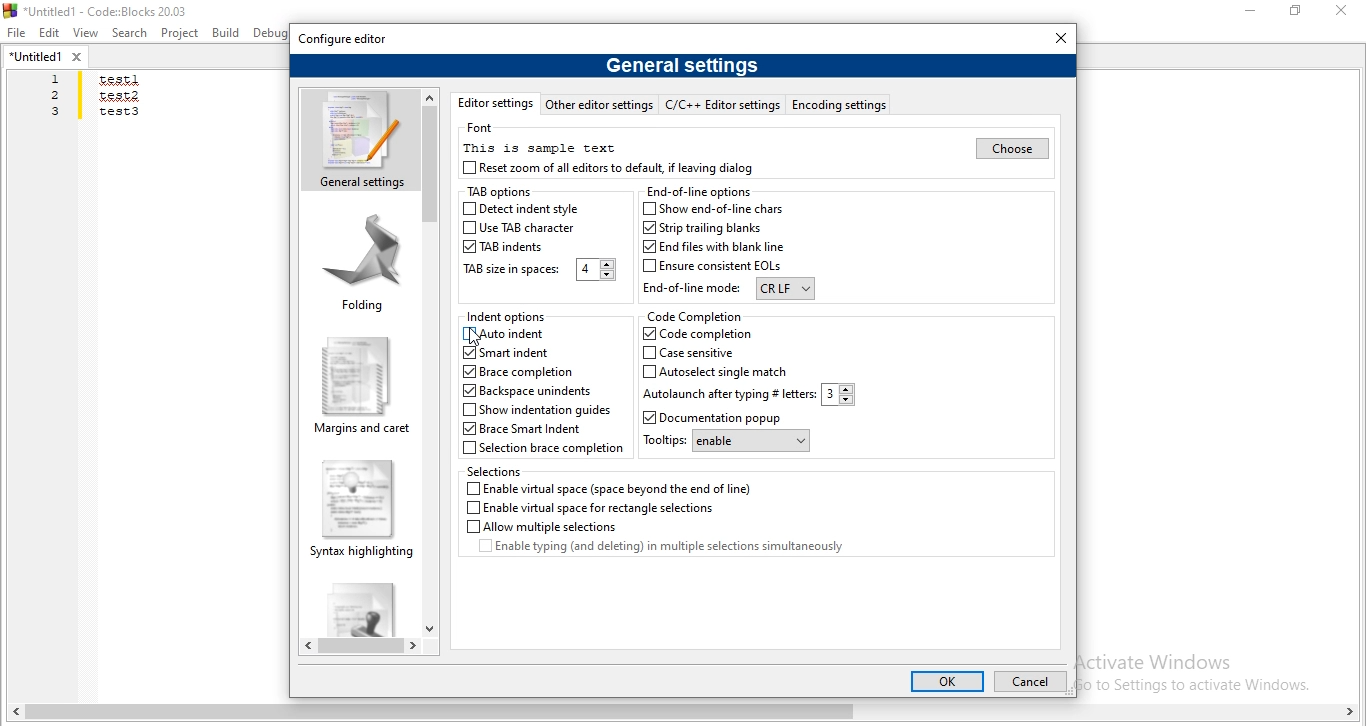 The height and width of the screenshot is (726, 1366). Describe the element at coordinates (726, 418) in the screenshot. I see `Documentation popup` at that location.